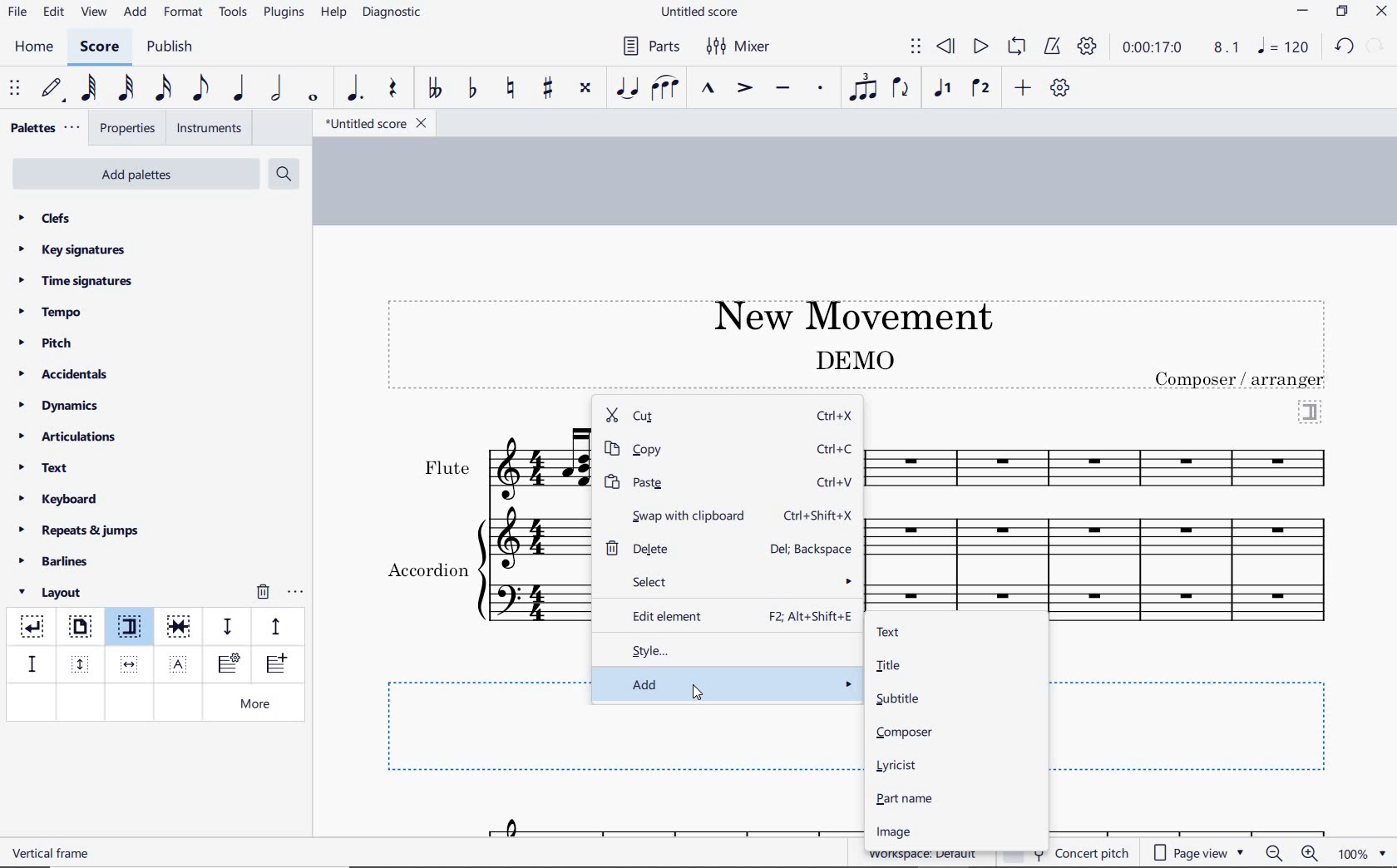 The width and height of the screenshot is (1397, 868). Describe the element at coordinates (1094, 851) in the screenshot. I see `concert pitch` at that location.